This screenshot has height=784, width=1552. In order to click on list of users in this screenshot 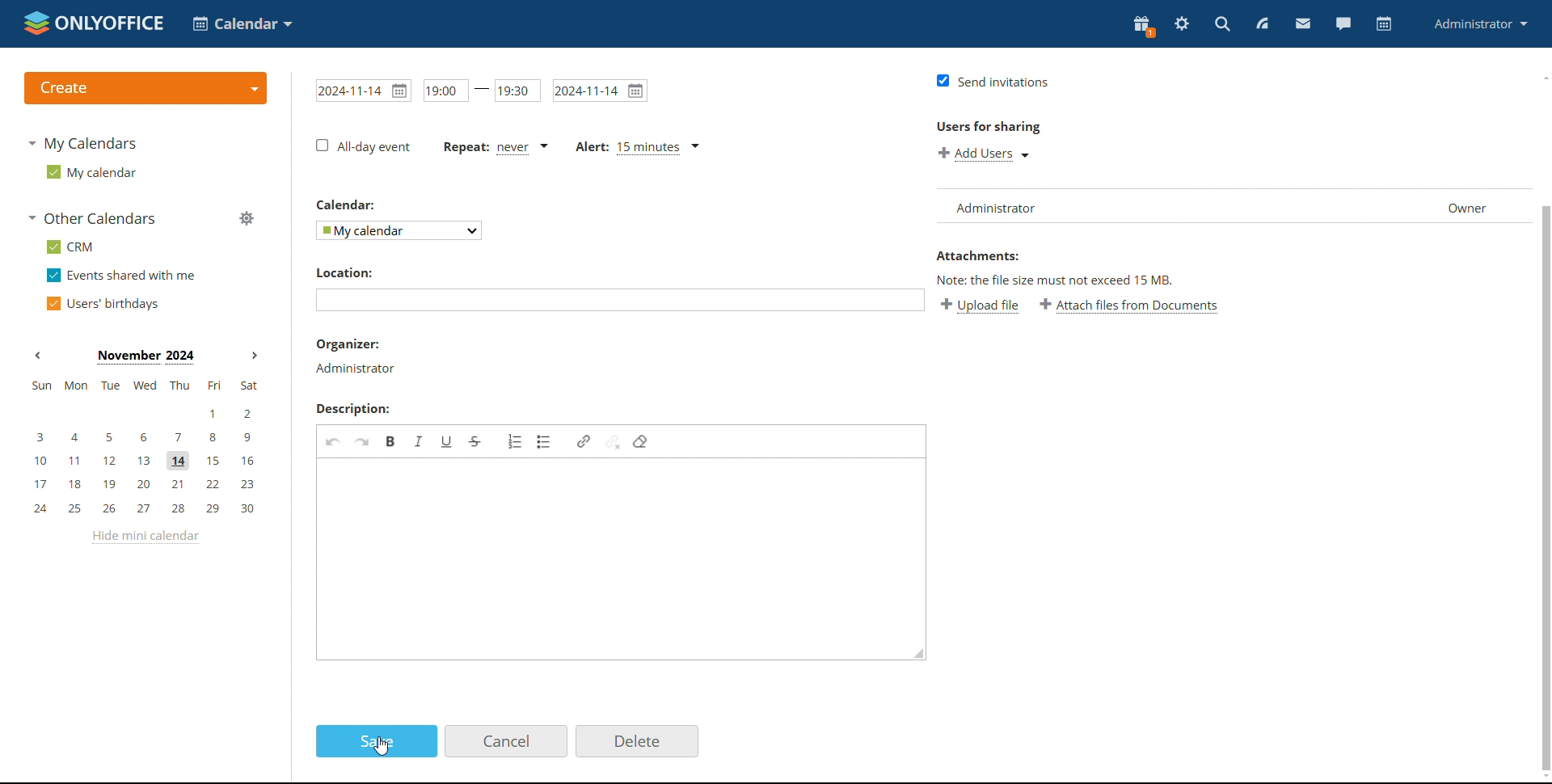, I will do `click(1217, 203)`.